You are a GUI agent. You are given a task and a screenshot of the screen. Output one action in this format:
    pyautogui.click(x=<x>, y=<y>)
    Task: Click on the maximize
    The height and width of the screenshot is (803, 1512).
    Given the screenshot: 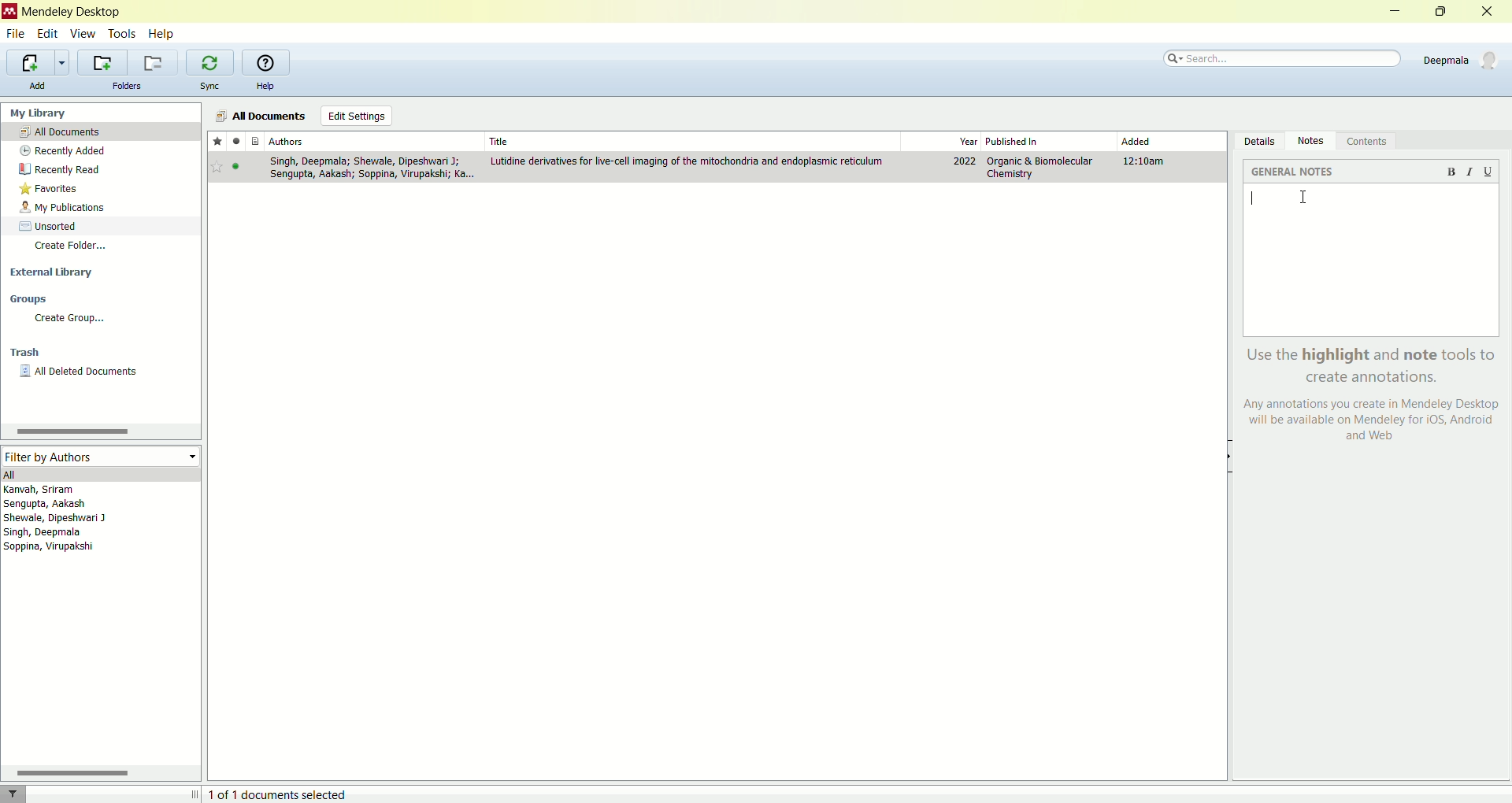 What is the action you would take?
    pyautogui.click(x=1442, y=10)
    